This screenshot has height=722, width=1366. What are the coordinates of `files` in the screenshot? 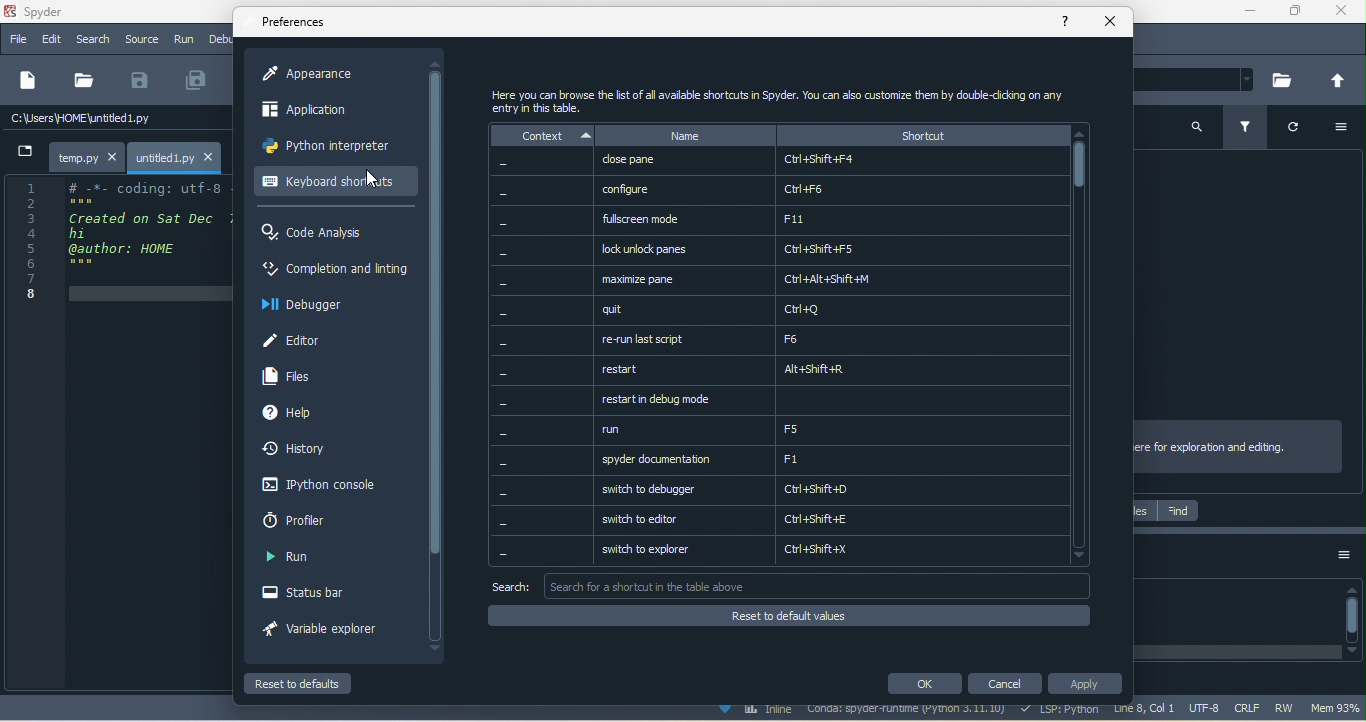 It's located at (292, 376).